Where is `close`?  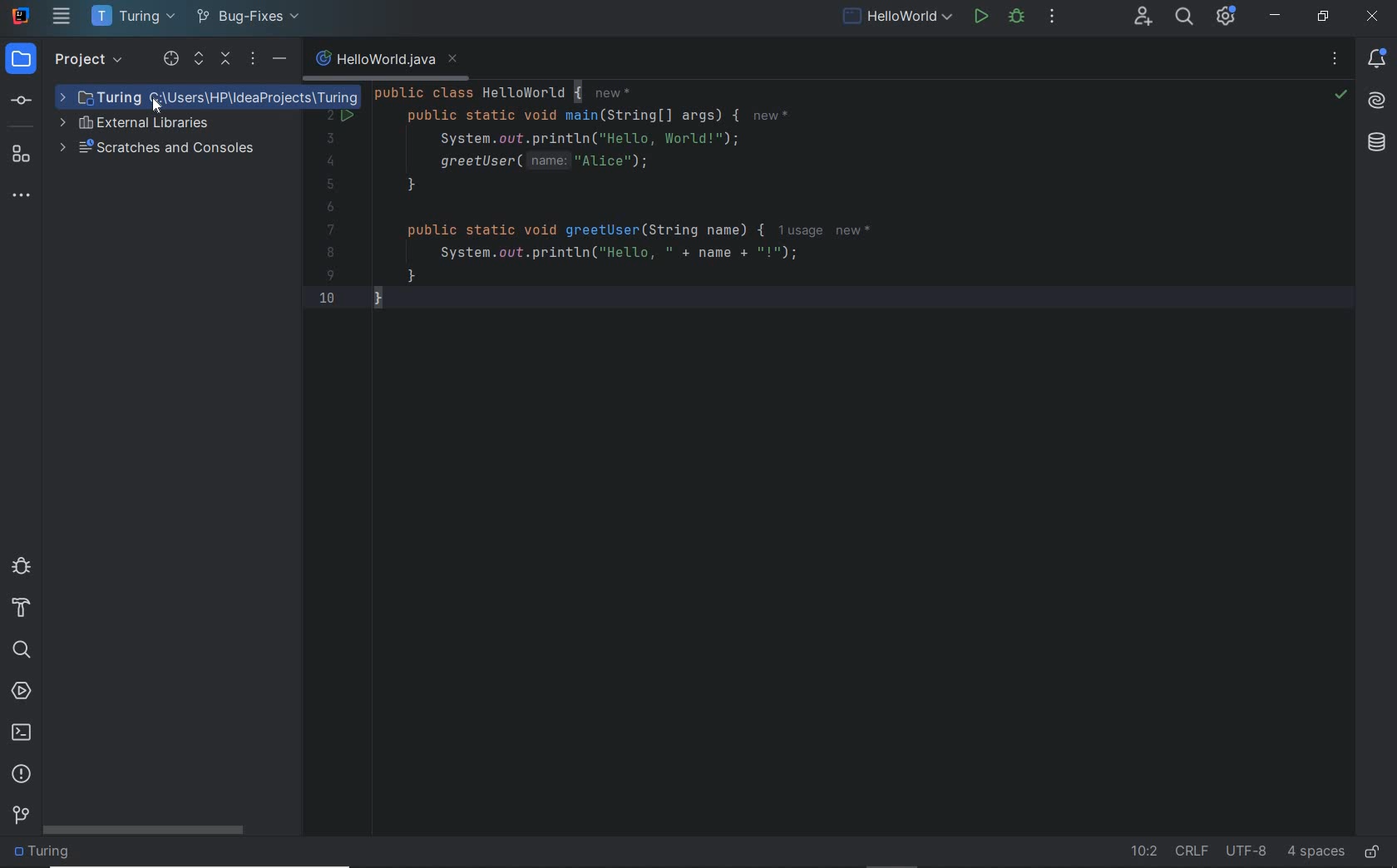
close is located at coordinates (1372, 17).